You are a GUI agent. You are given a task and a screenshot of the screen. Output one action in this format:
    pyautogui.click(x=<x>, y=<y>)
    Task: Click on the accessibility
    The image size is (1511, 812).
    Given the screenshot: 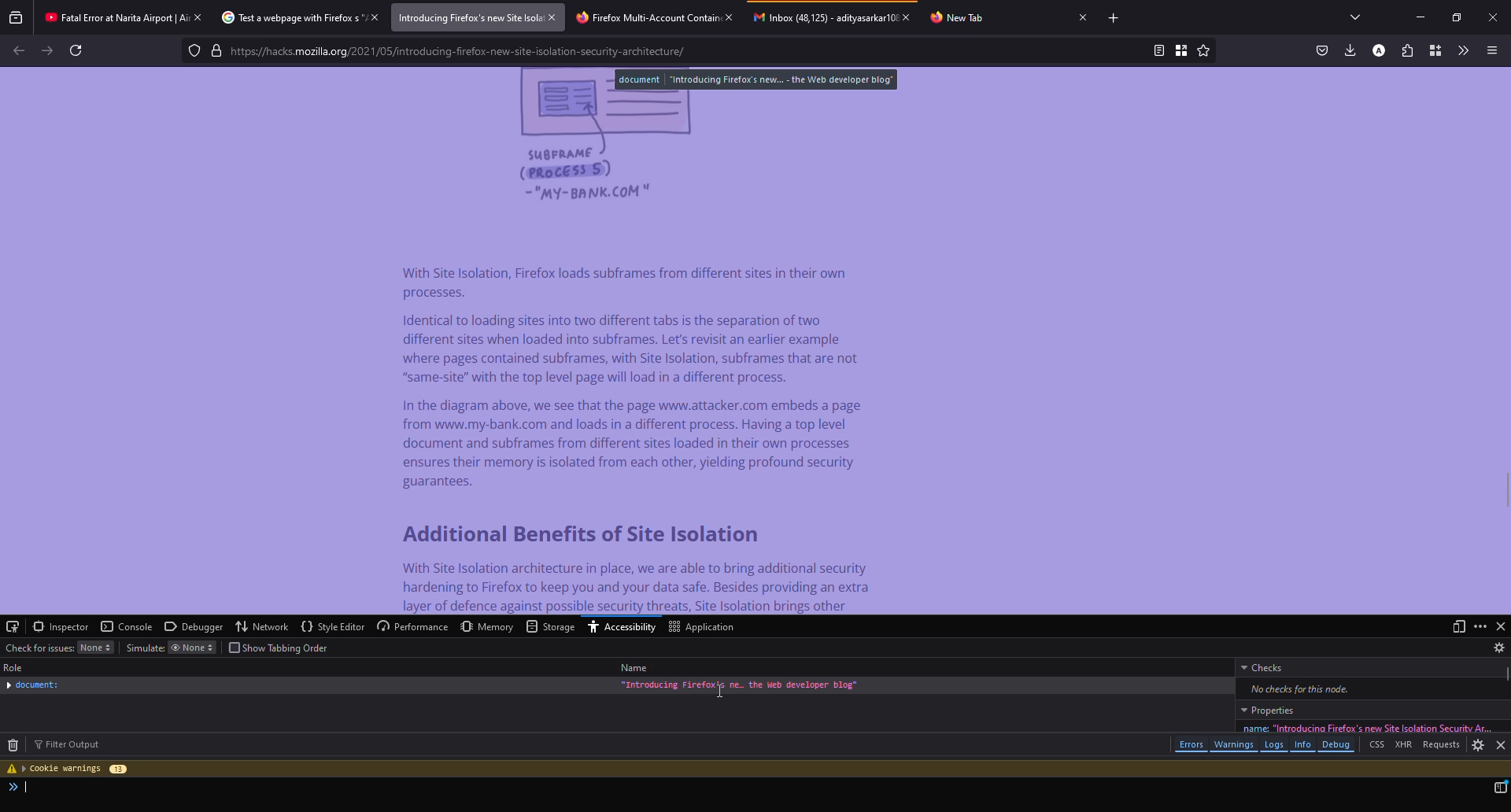 What is the action you would take?
    pyautogui.click(x=623, y=626)
    